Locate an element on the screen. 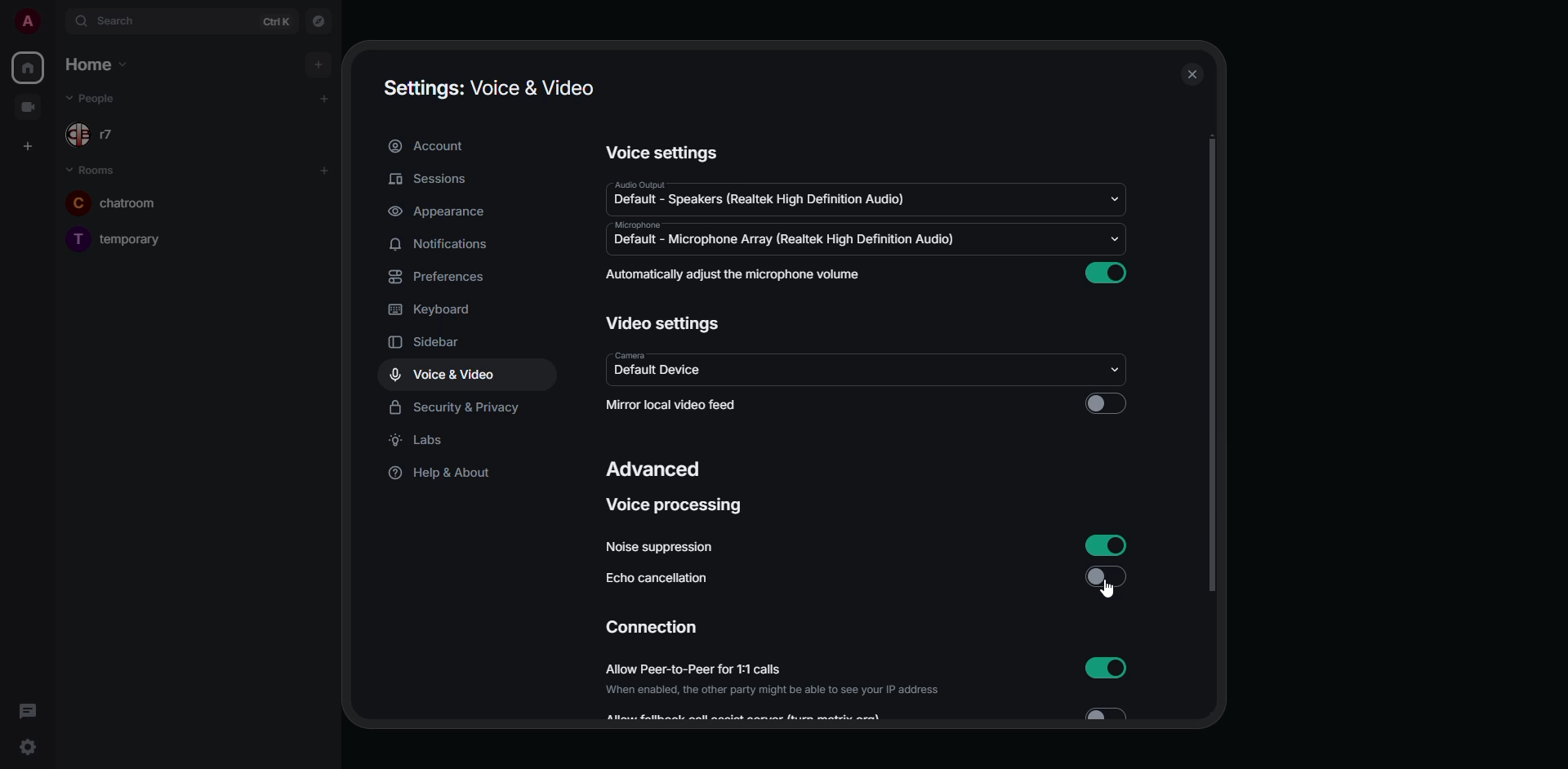 Image resolution: width=1568 pixels, height=769 pixels. video settings is located at coordinates (663, 322).